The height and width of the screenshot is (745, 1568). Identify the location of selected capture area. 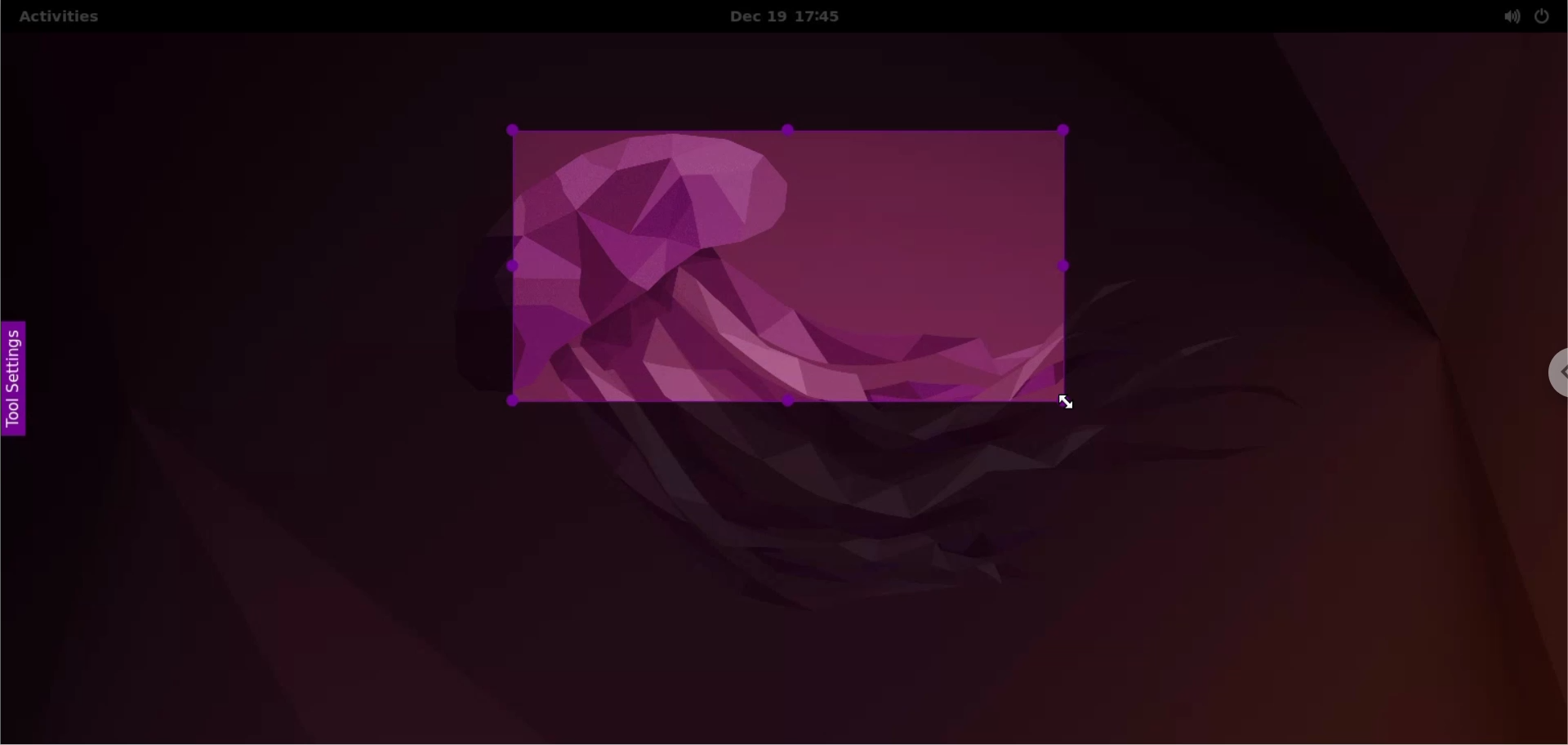
(785, 268).